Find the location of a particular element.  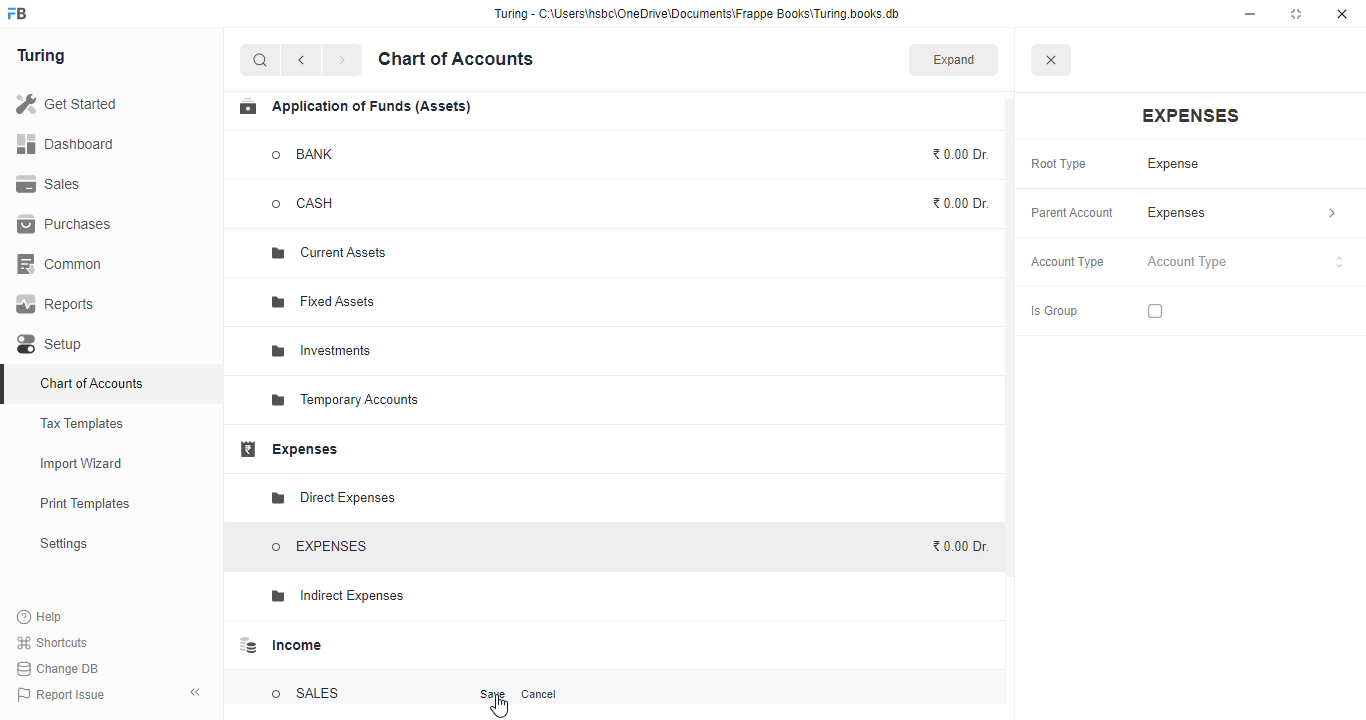

chart of accounts is located at coordinates (456, 59).